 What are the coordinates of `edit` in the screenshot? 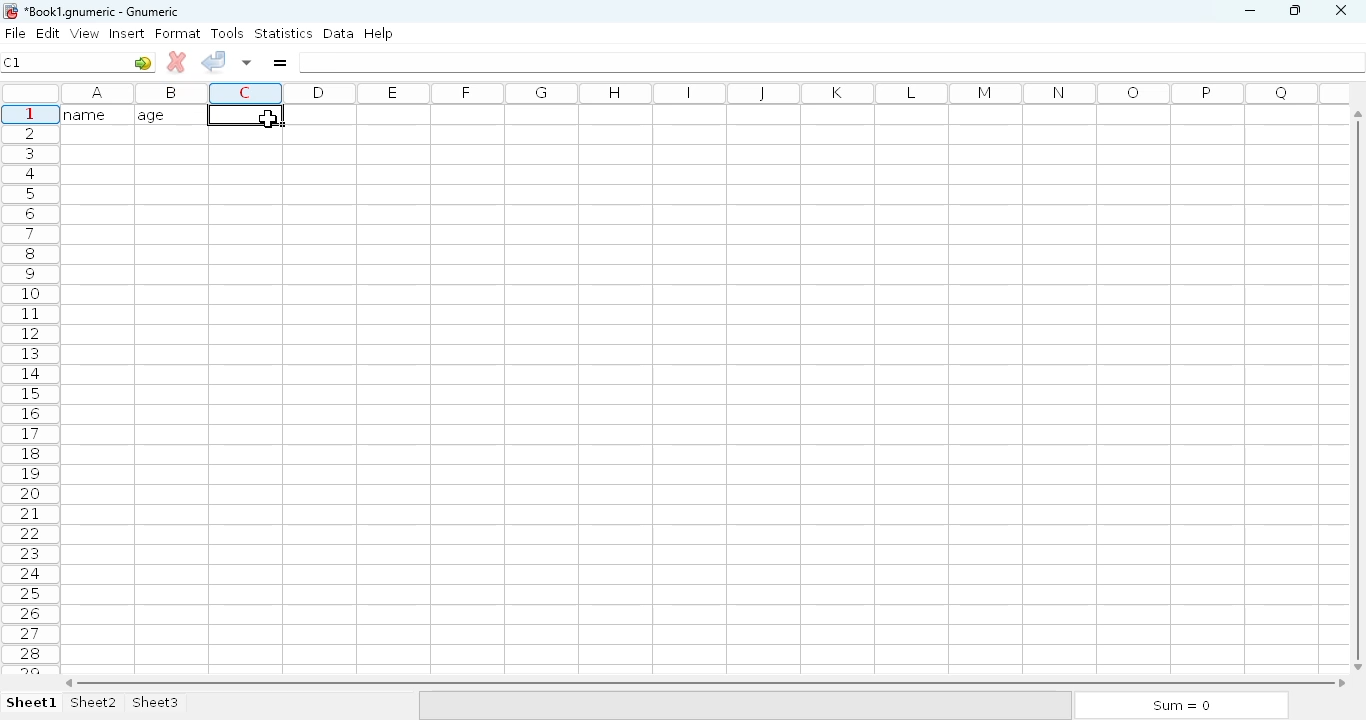 It's located at (49, 33).